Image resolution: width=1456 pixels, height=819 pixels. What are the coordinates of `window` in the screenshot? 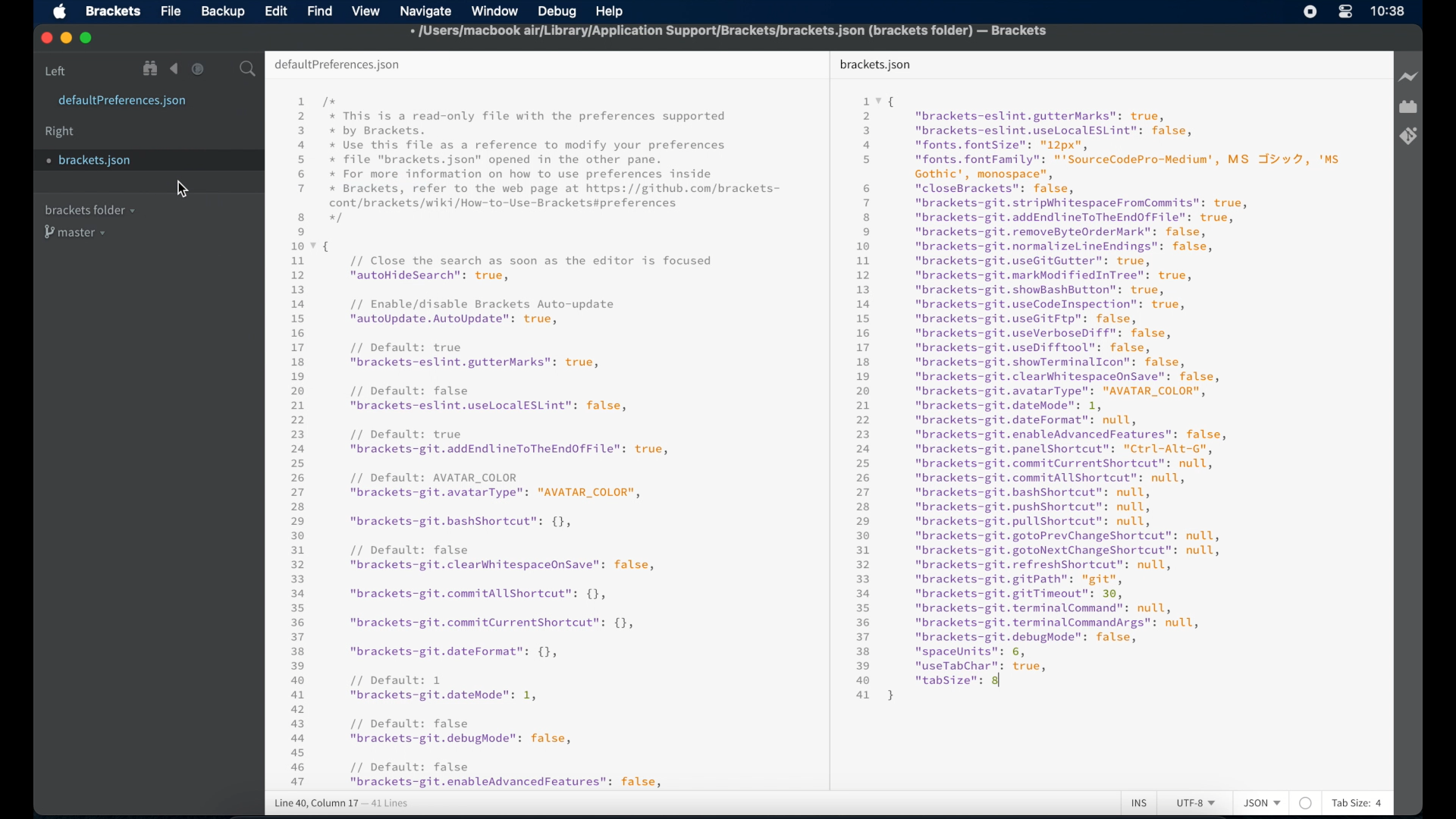 It's located at (495, 11).